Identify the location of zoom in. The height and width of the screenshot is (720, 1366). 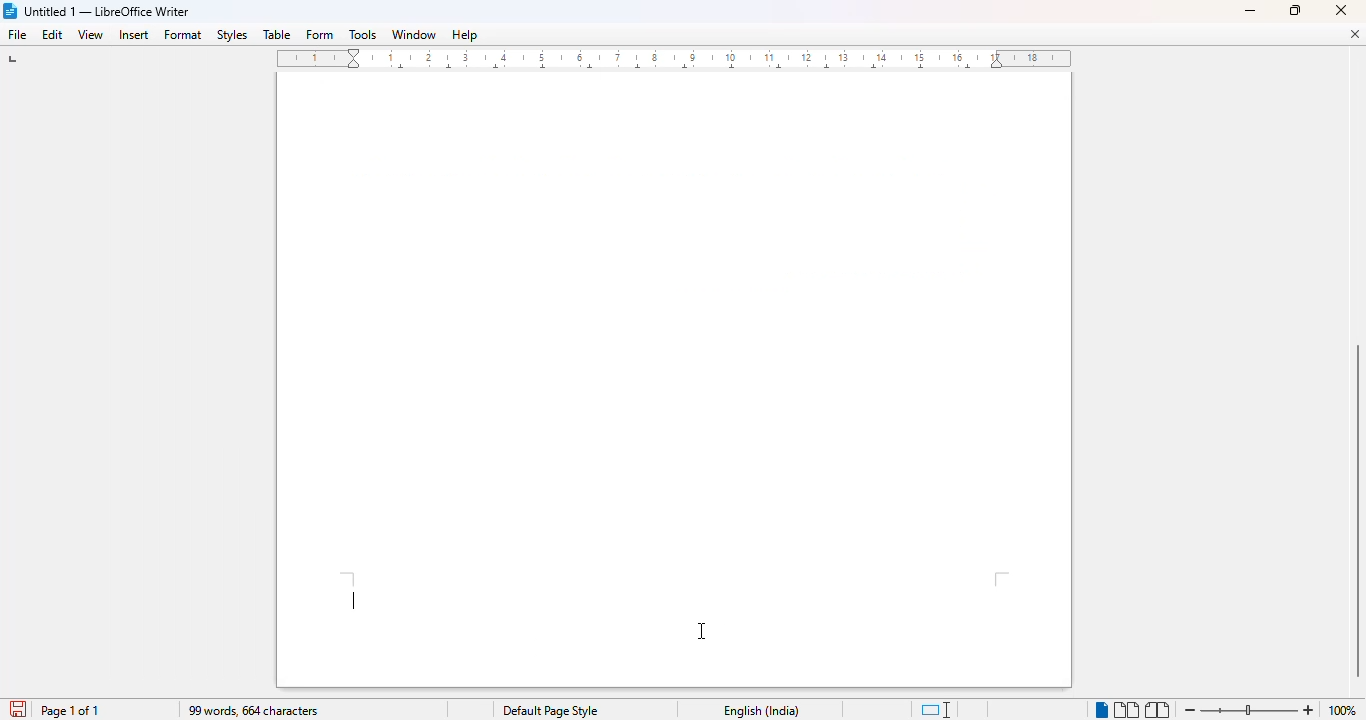
(1308, 710).